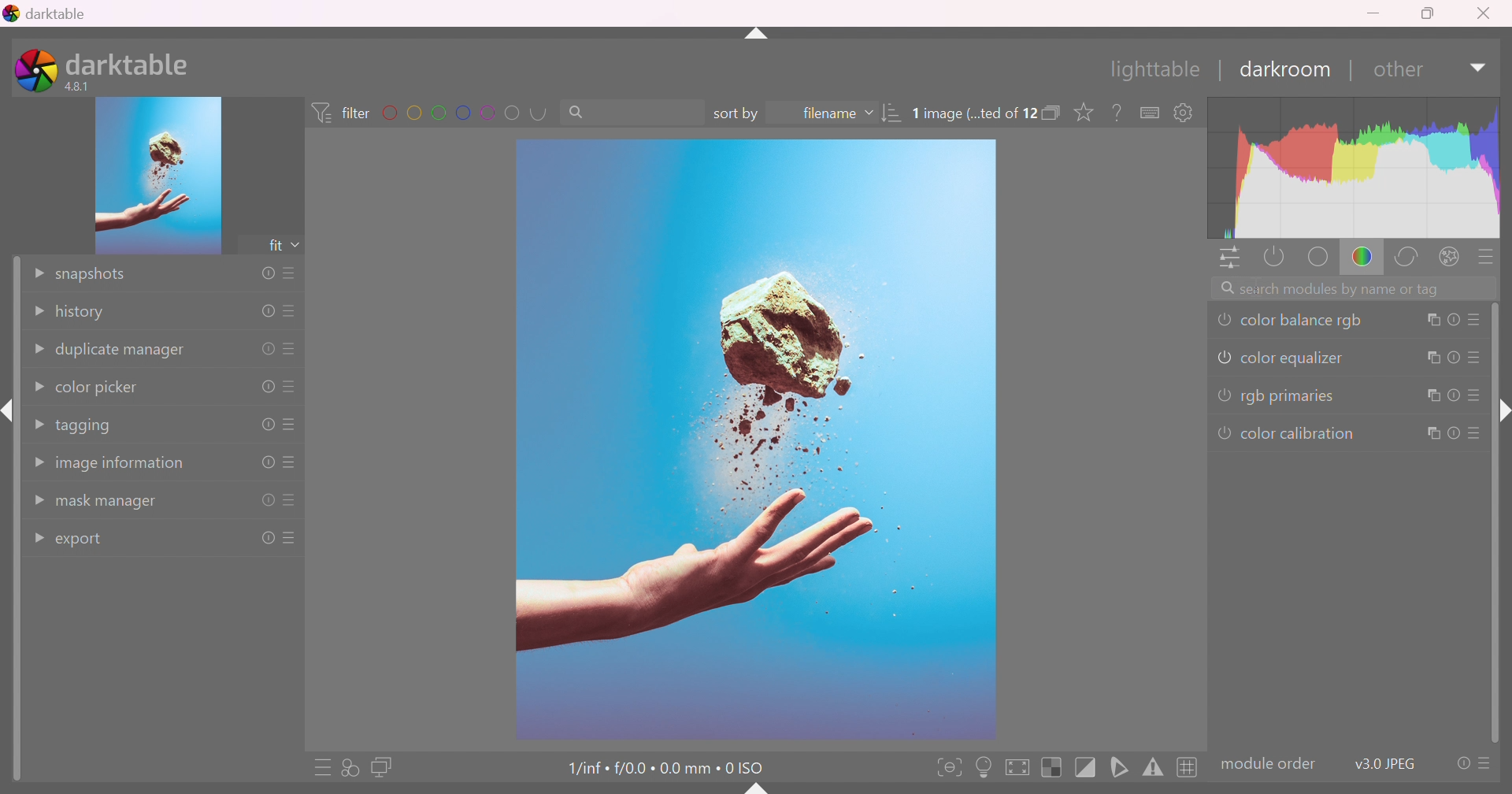  What do you see at coordinates (821, 114) in the screenshot?
I see `filename` at bounding box center [821, 114].